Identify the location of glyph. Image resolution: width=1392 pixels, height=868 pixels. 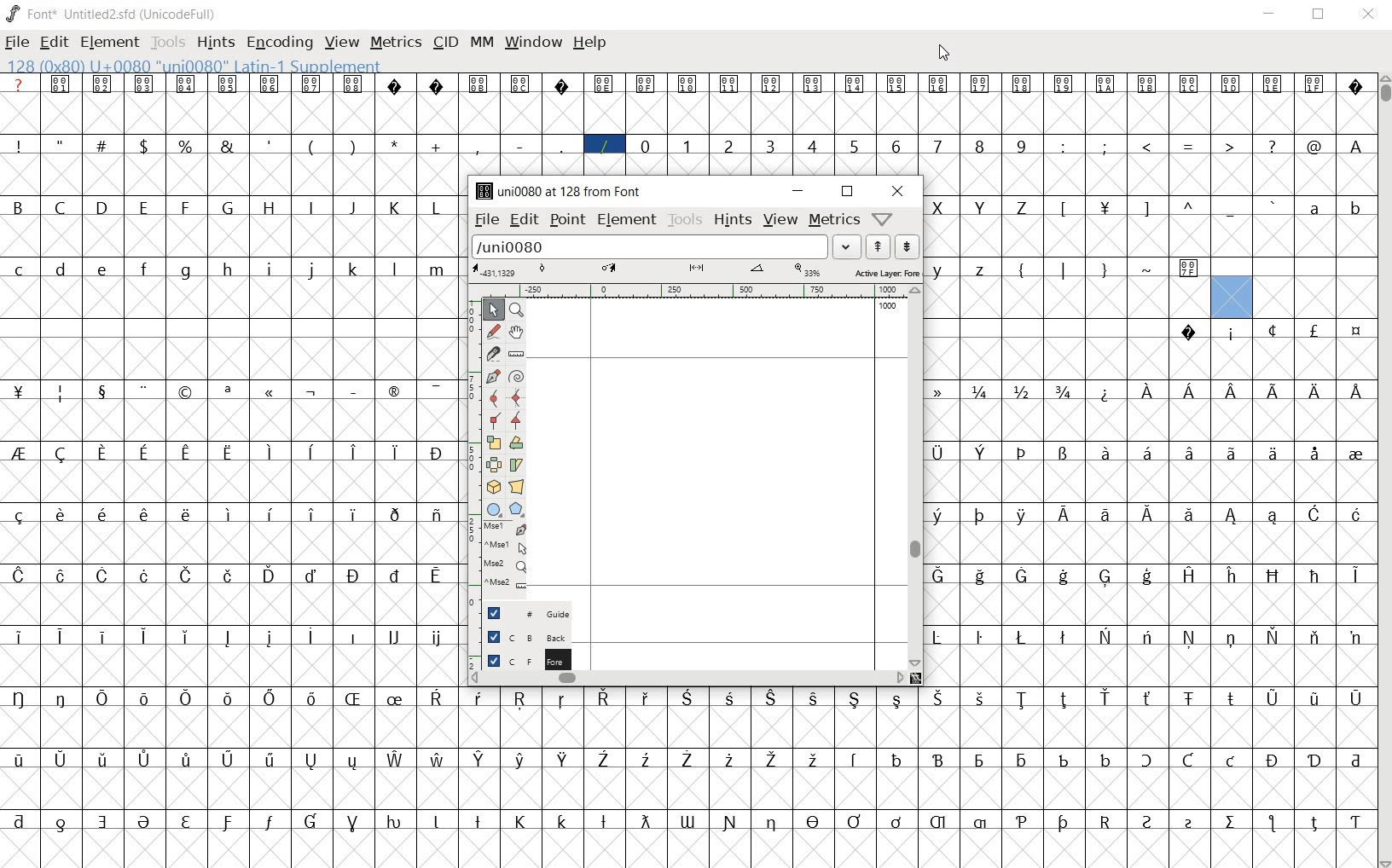
(145, 699).